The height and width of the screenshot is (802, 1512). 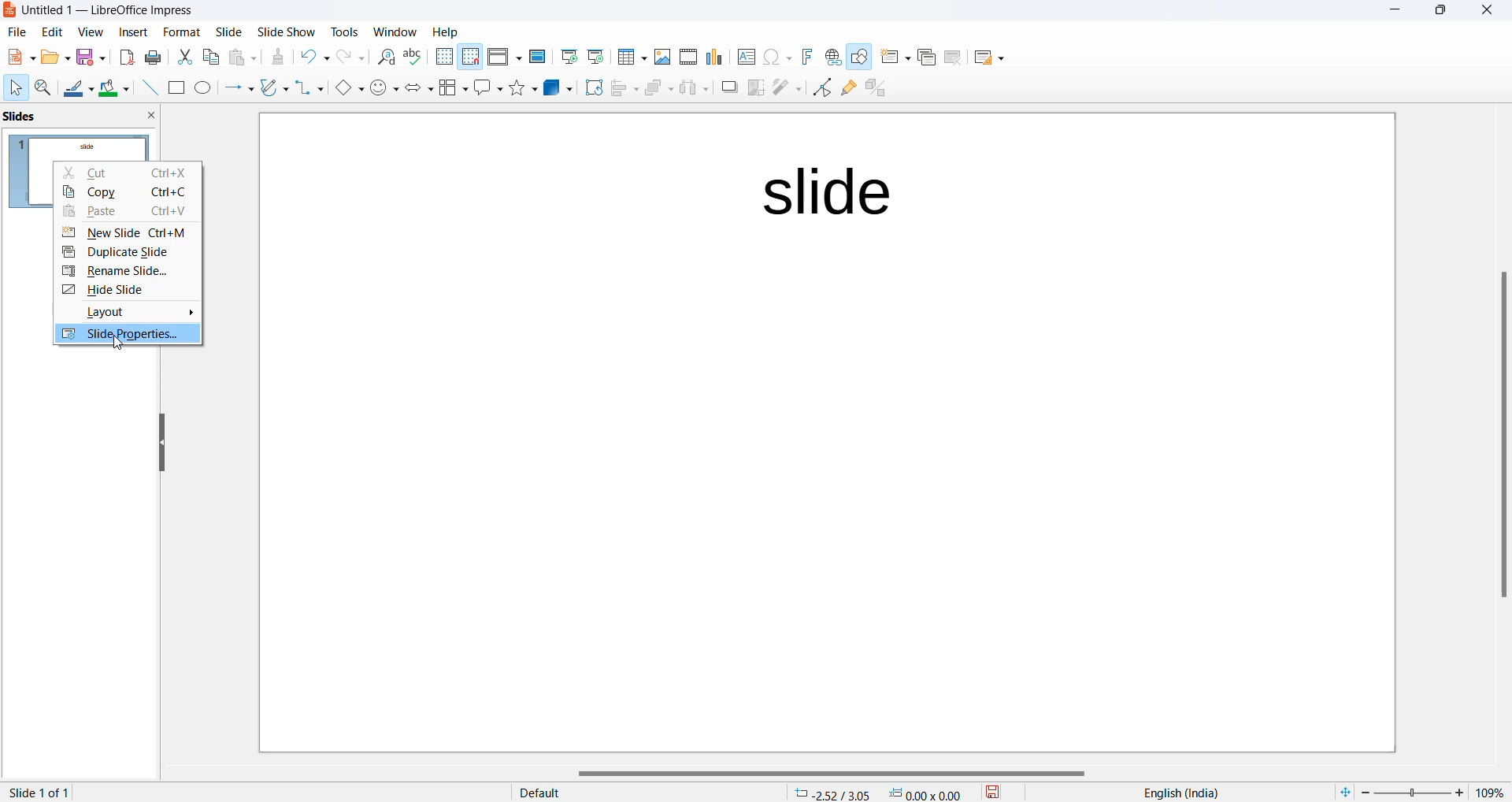 I want to click on slide layout, so click(x=988, y=61).